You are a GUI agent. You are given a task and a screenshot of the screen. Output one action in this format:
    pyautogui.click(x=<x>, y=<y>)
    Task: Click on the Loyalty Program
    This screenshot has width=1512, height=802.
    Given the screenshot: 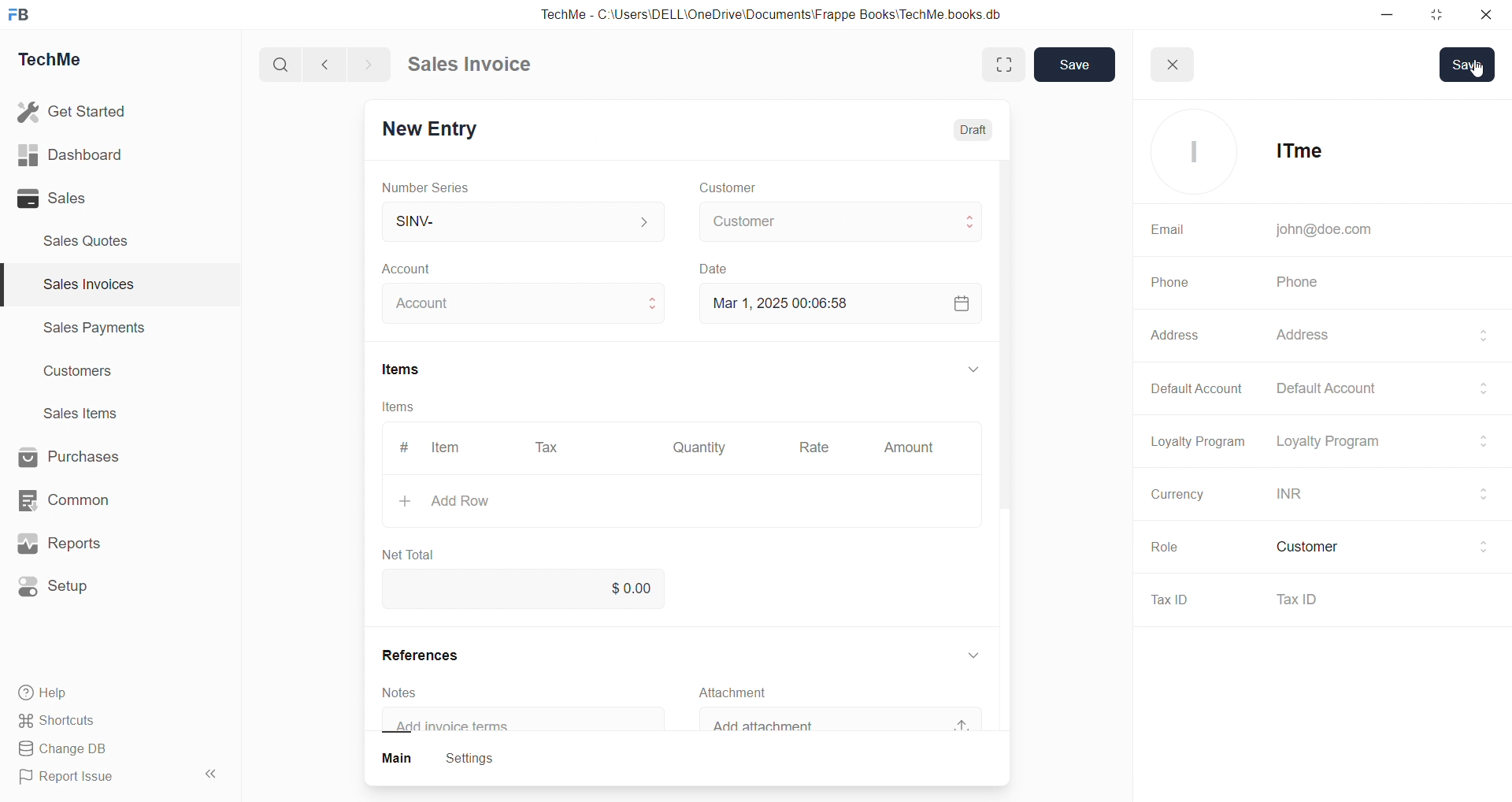 What is the action you would take?
    pyautogui.click(x=1190, y=440)
    